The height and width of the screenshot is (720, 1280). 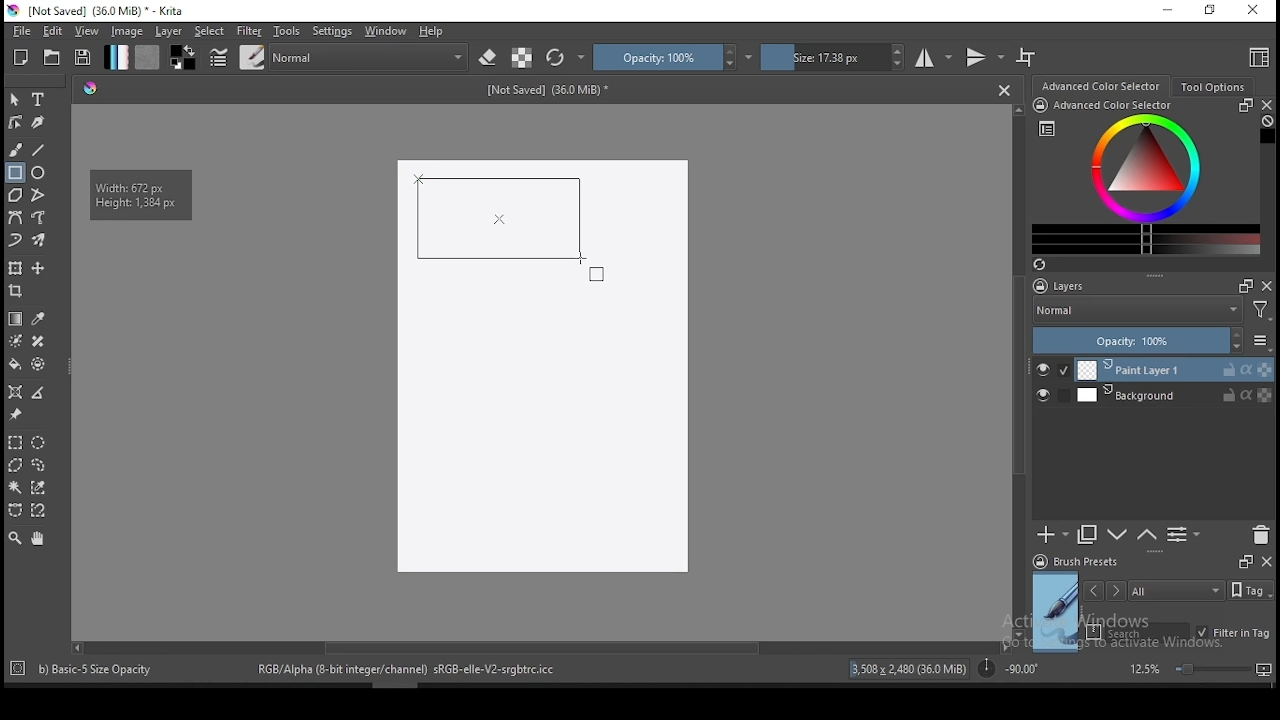 I want to click on horizontal mirror tool, so click(x=934, y=57).